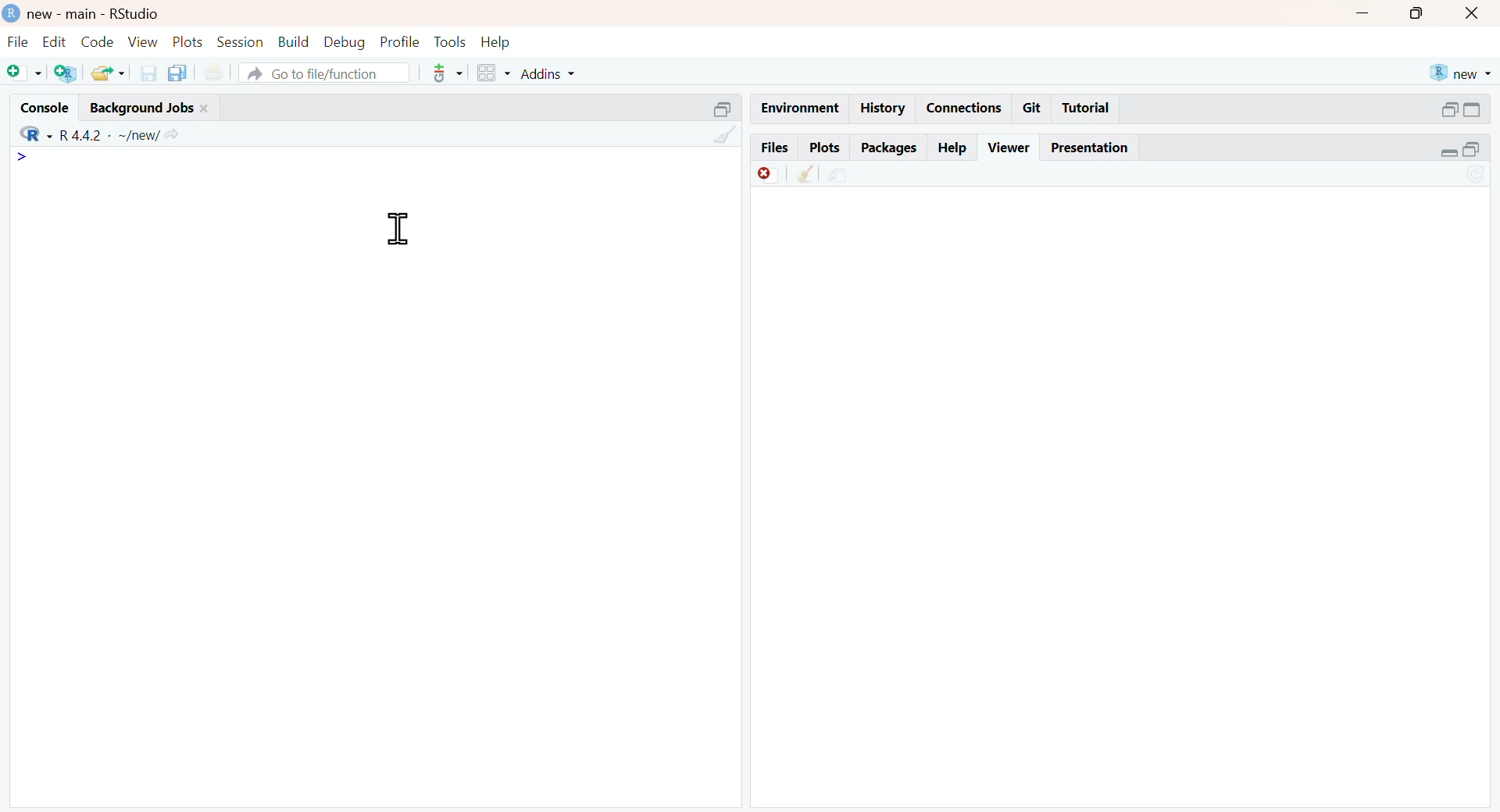 This screenshot has width=1500, height=812. Describe the element at coordinates (798, 107) in the screenshot. I see `Environment` at that location.